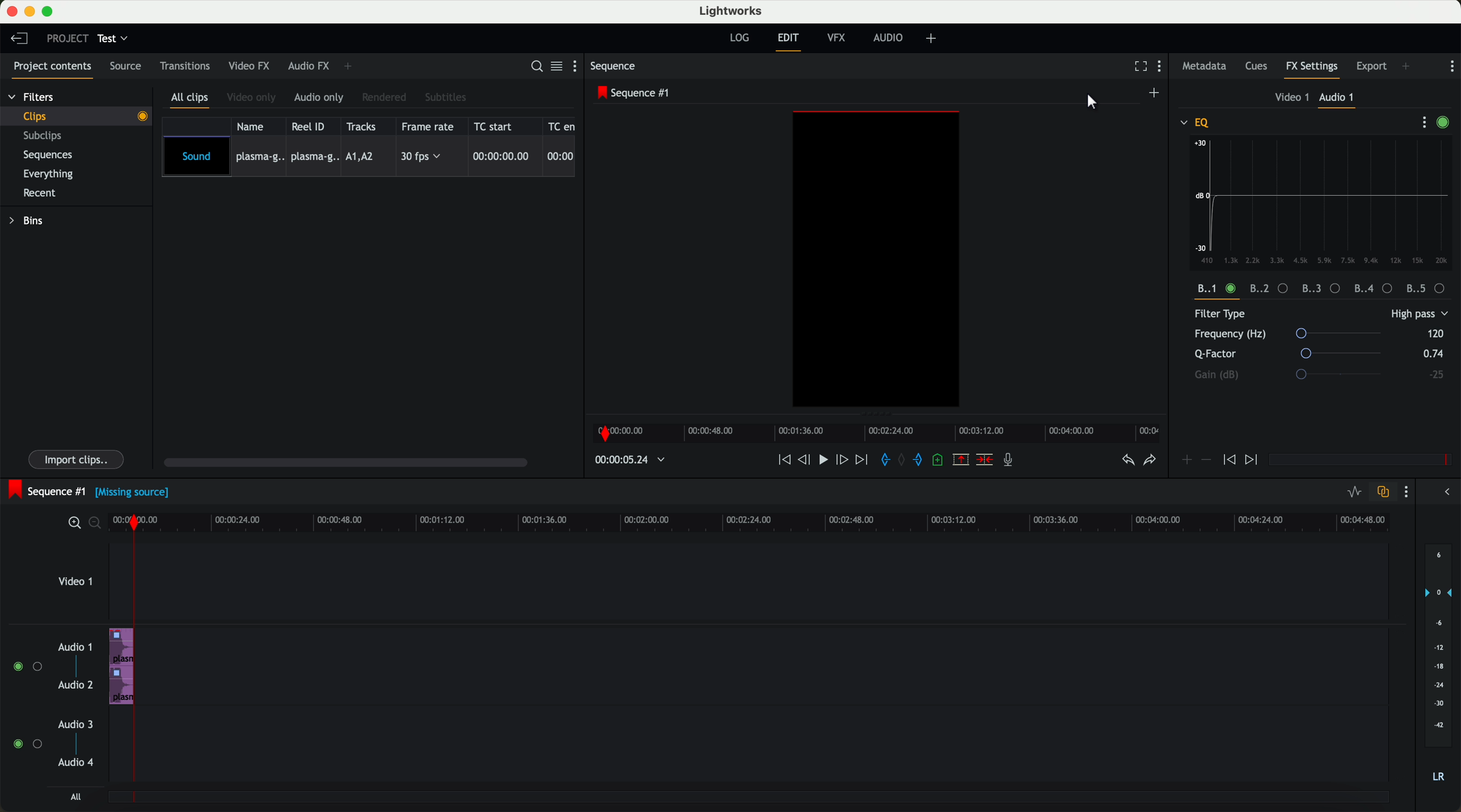  What do you see at coordinates (38, 192) in the screenshot?
I see `recent` at bounding box center [38, 192].